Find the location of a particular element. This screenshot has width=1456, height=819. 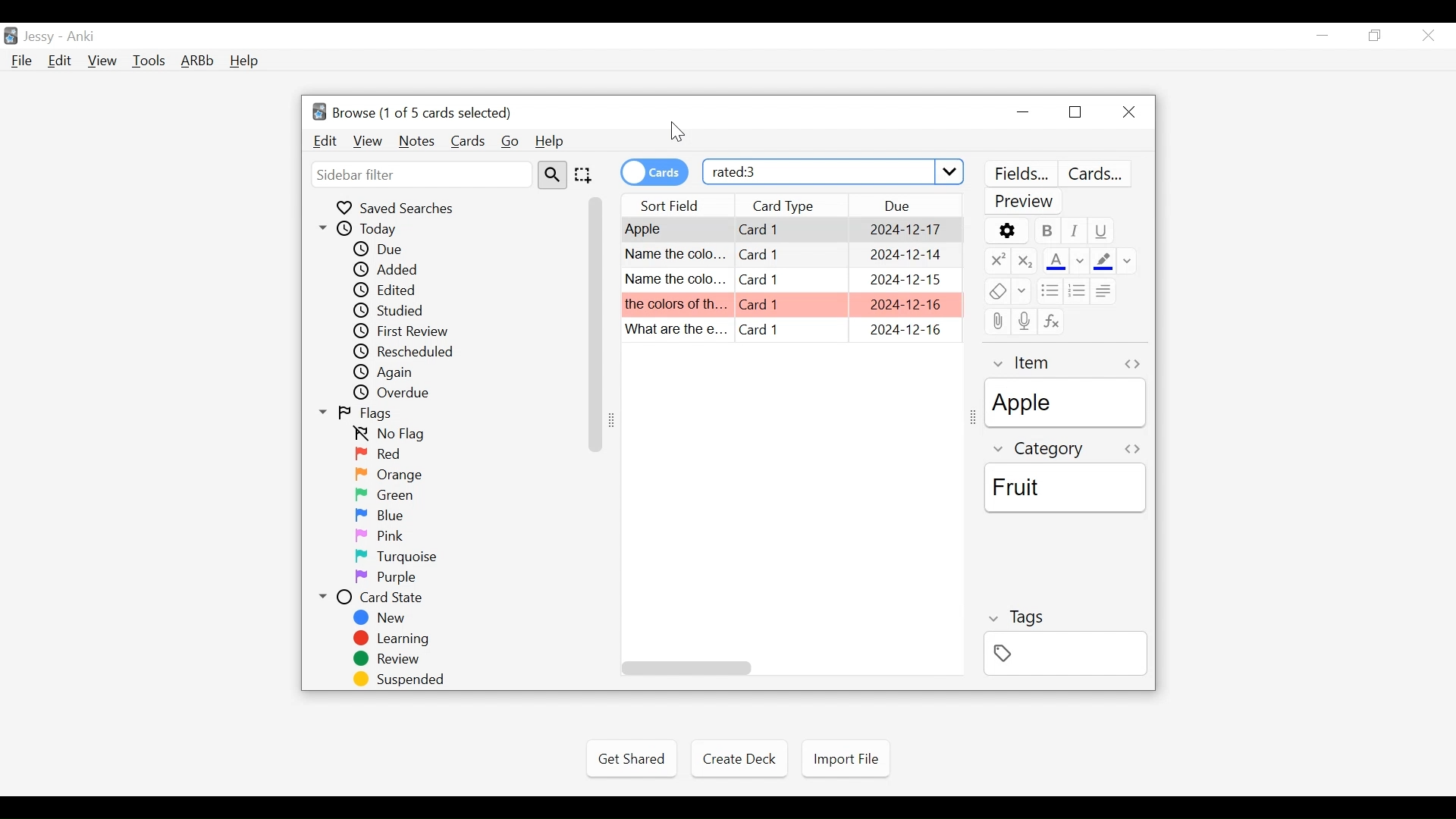

Notes is located at coordinates (416, 142).